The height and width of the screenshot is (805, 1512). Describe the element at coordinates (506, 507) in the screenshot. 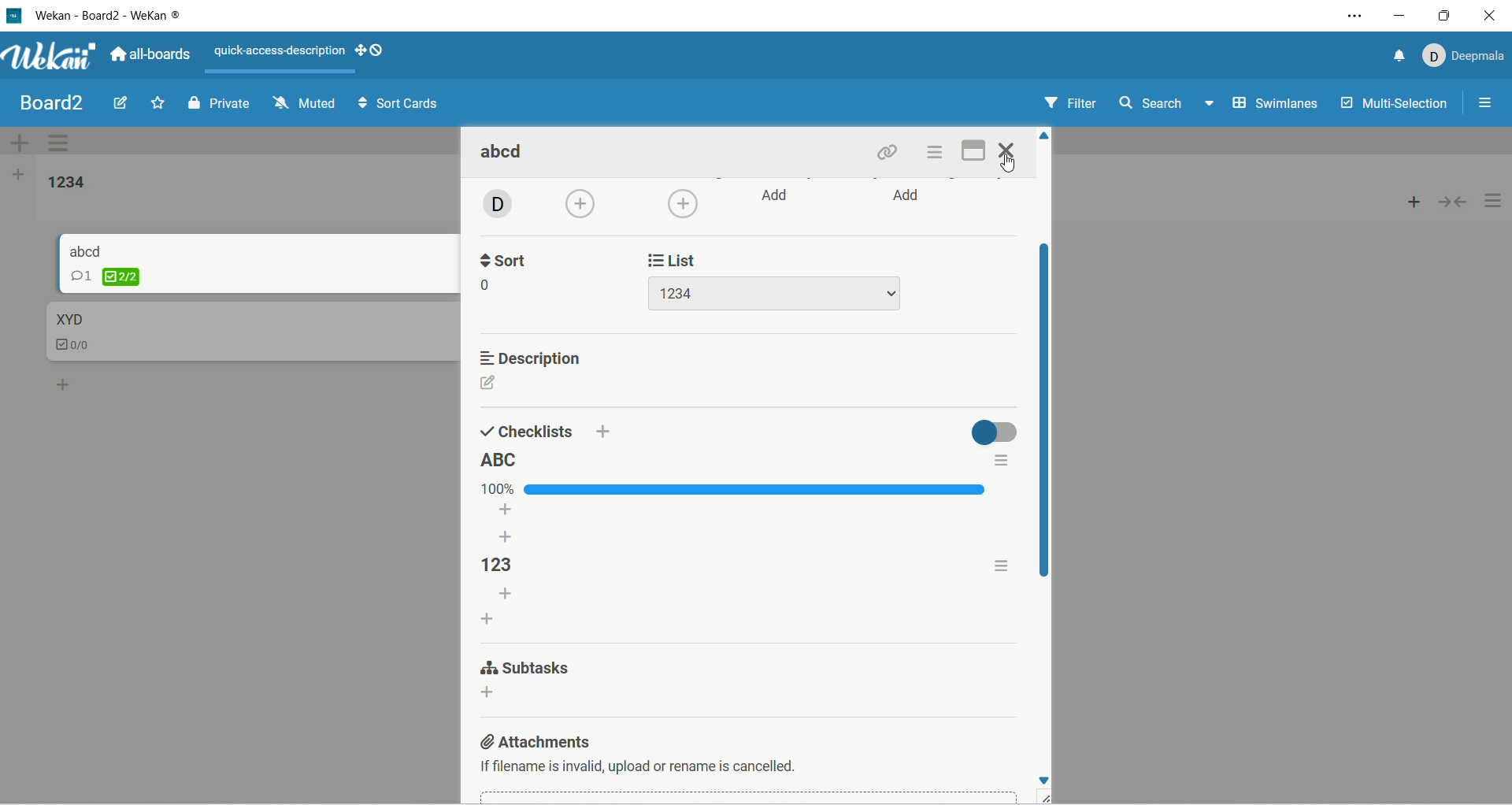

I see `add` at that location.